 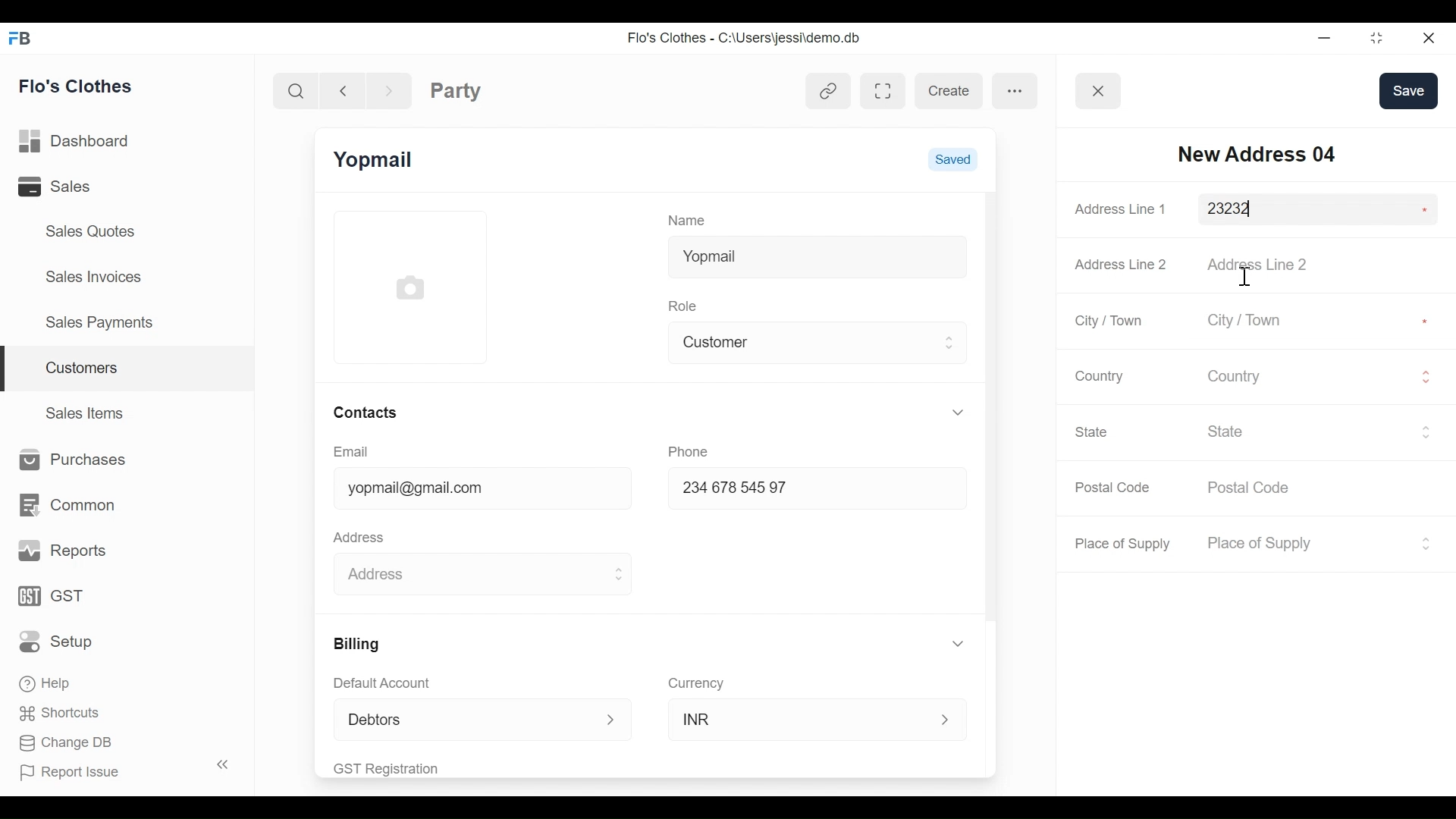 I want to click on Role, so click(x=686, y=304).